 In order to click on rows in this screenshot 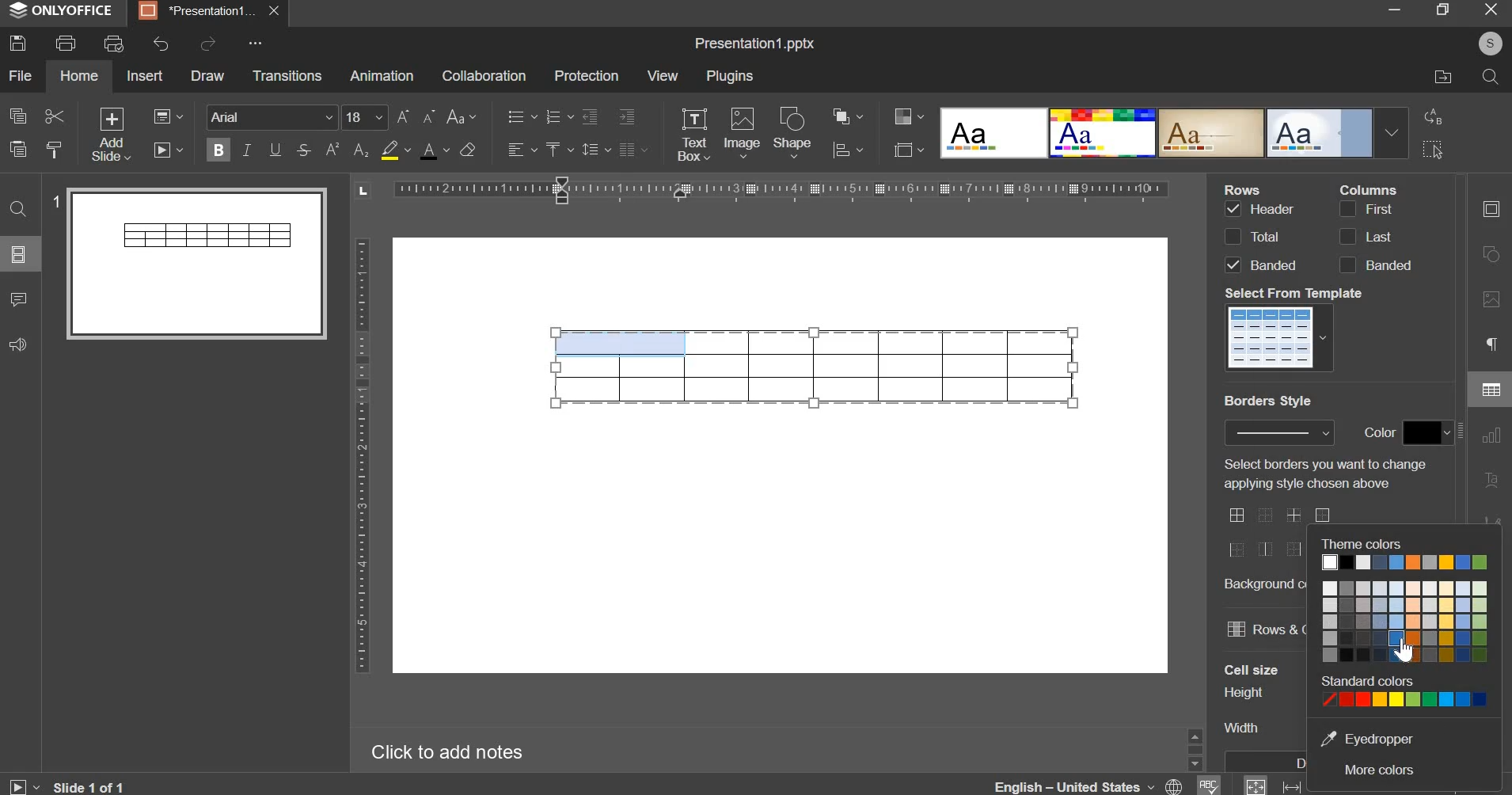, I will do `click(1259, 236)`.